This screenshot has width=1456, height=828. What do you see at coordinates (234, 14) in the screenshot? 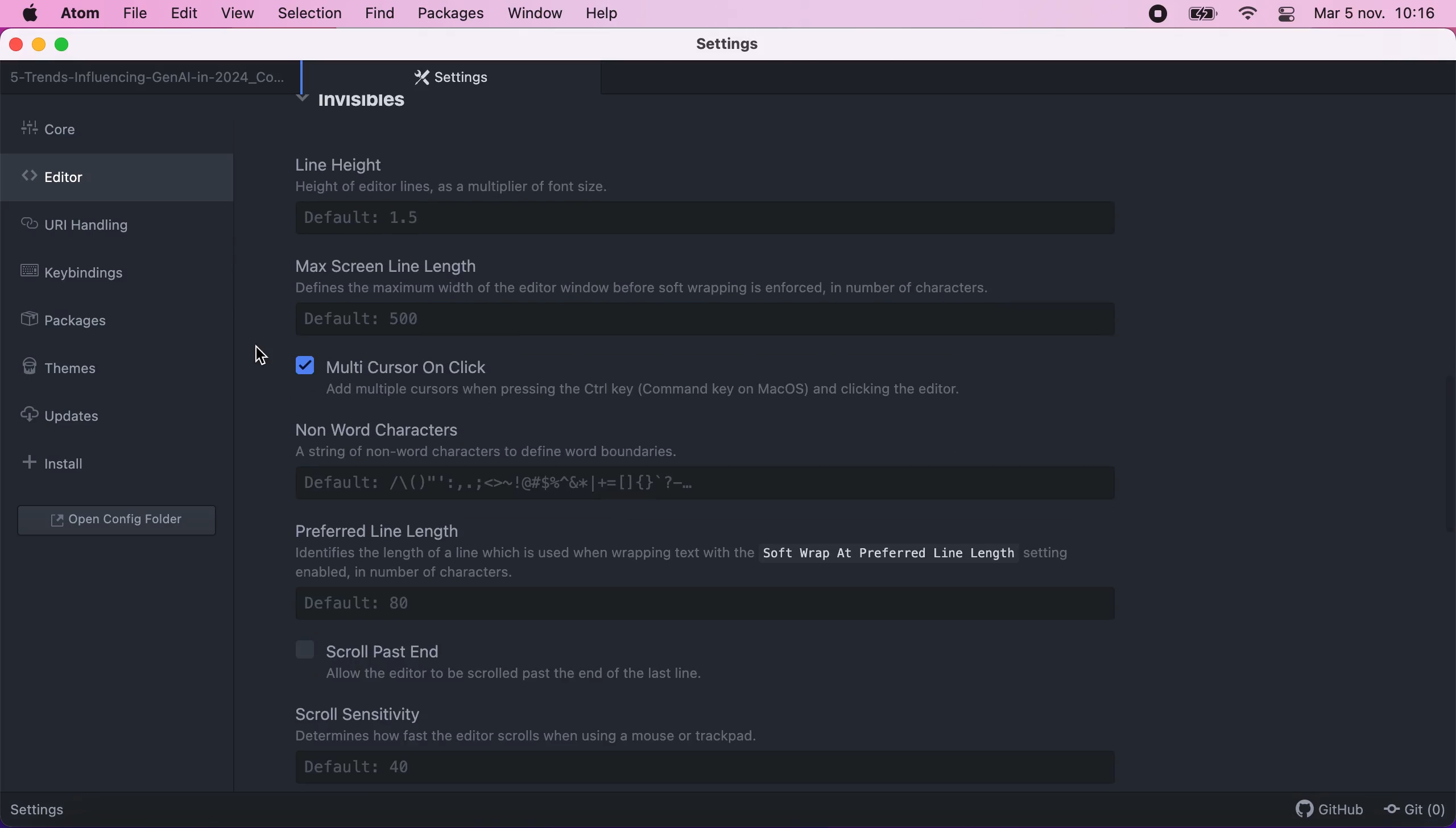
I see `view` at bounding box center [234, 14].